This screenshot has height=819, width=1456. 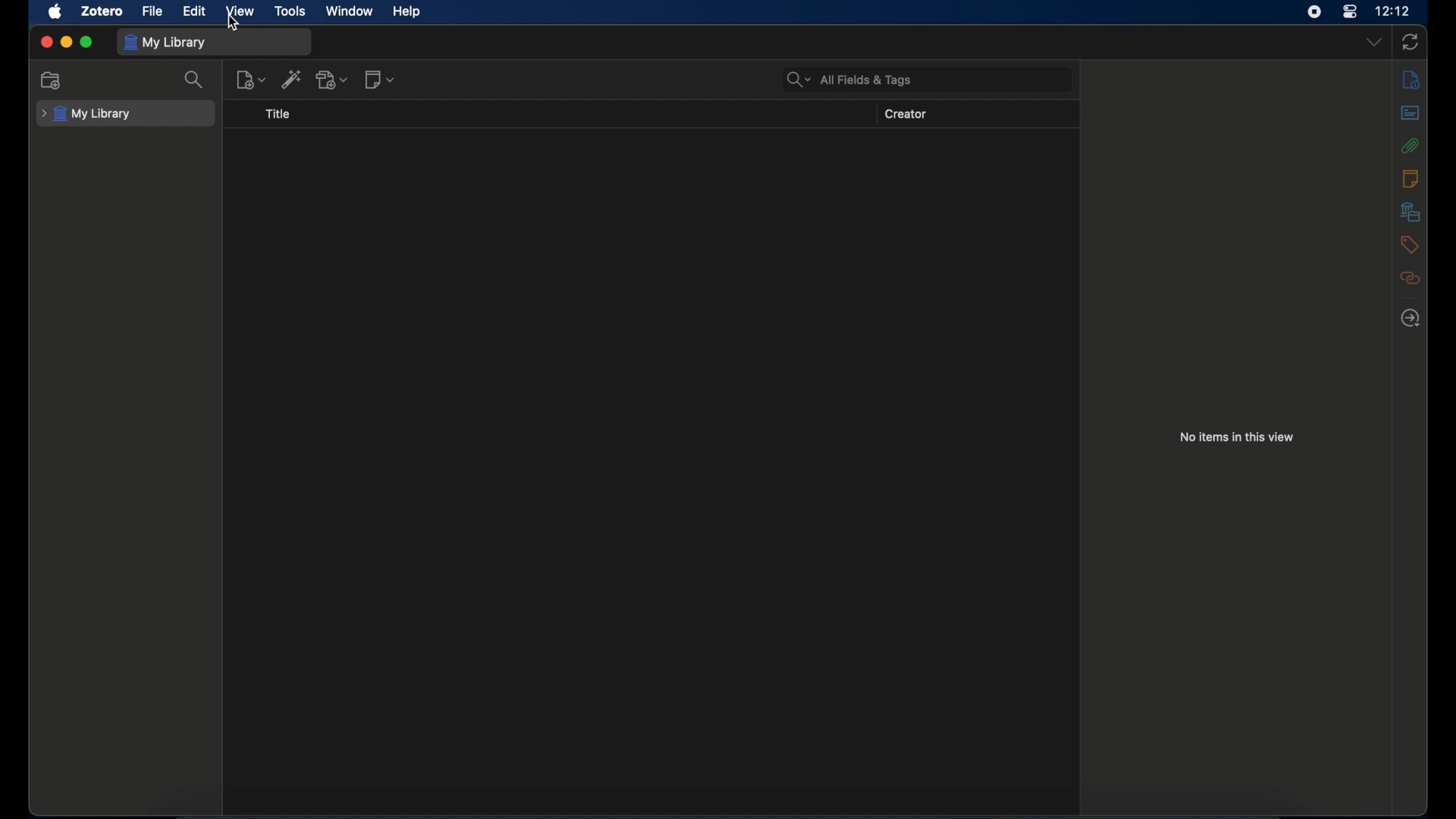 I want to click on cursor, so click(x=234, y=24).